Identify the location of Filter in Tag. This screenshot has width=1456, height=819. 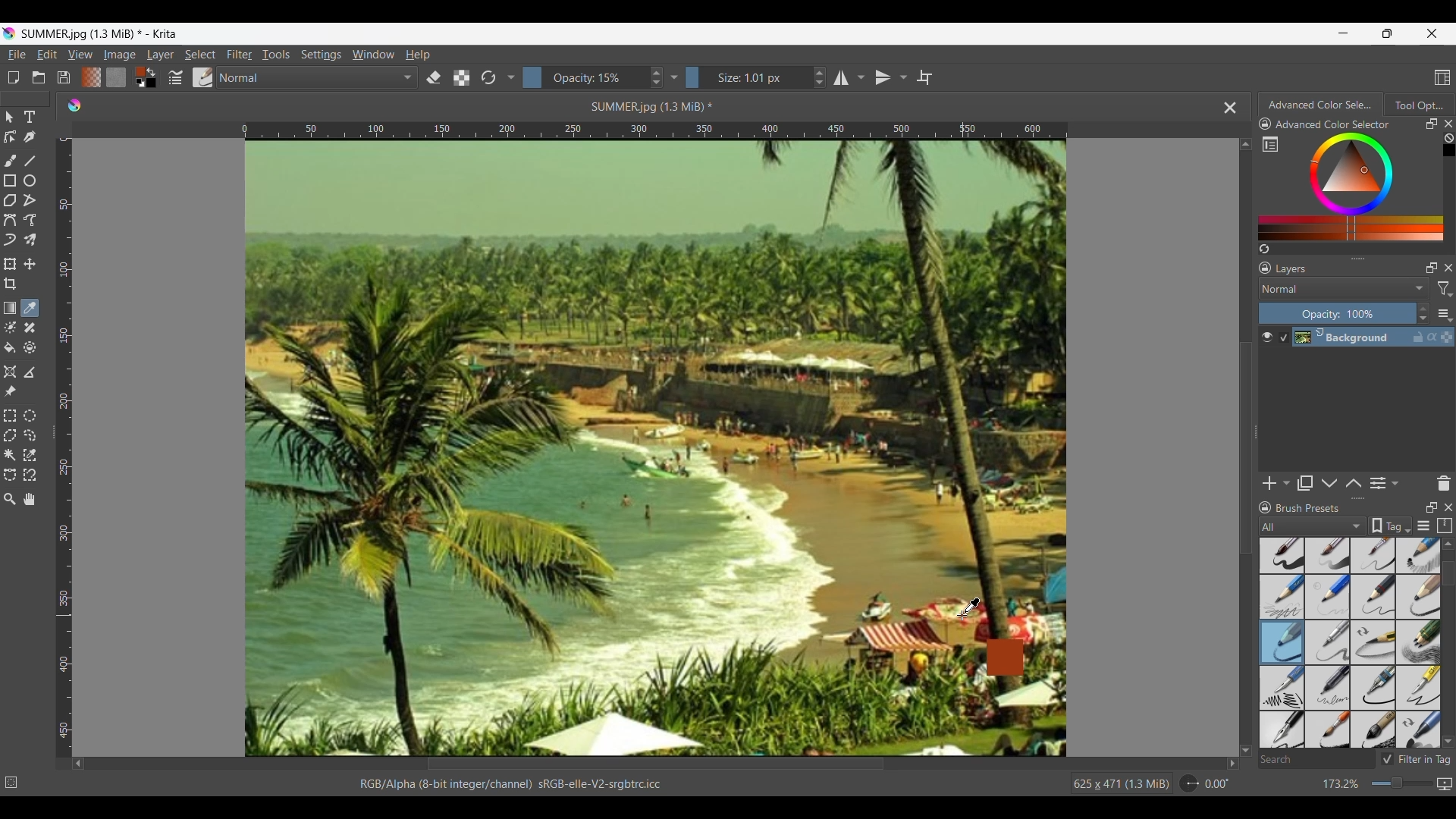
(1415, 759).